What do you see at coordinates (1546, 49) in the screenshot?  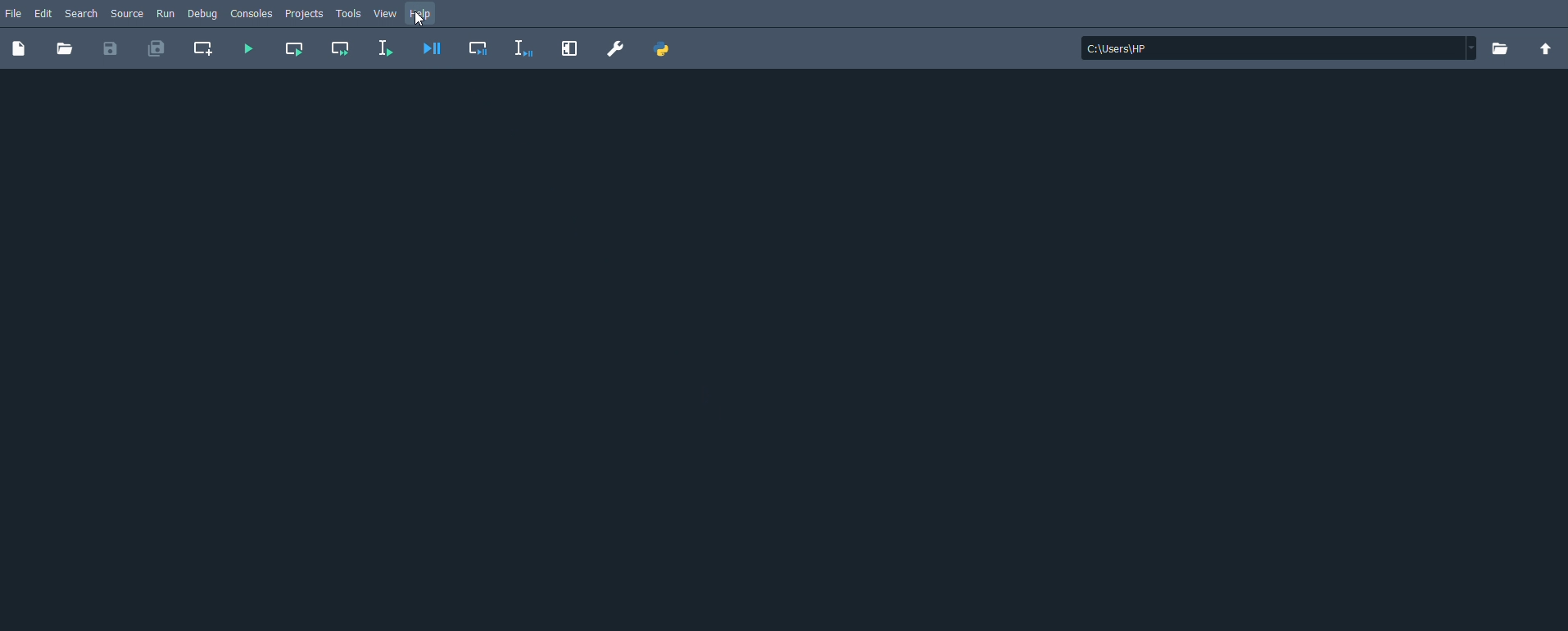 I see `Change to parent directory` at bounding box center [1546, 49].